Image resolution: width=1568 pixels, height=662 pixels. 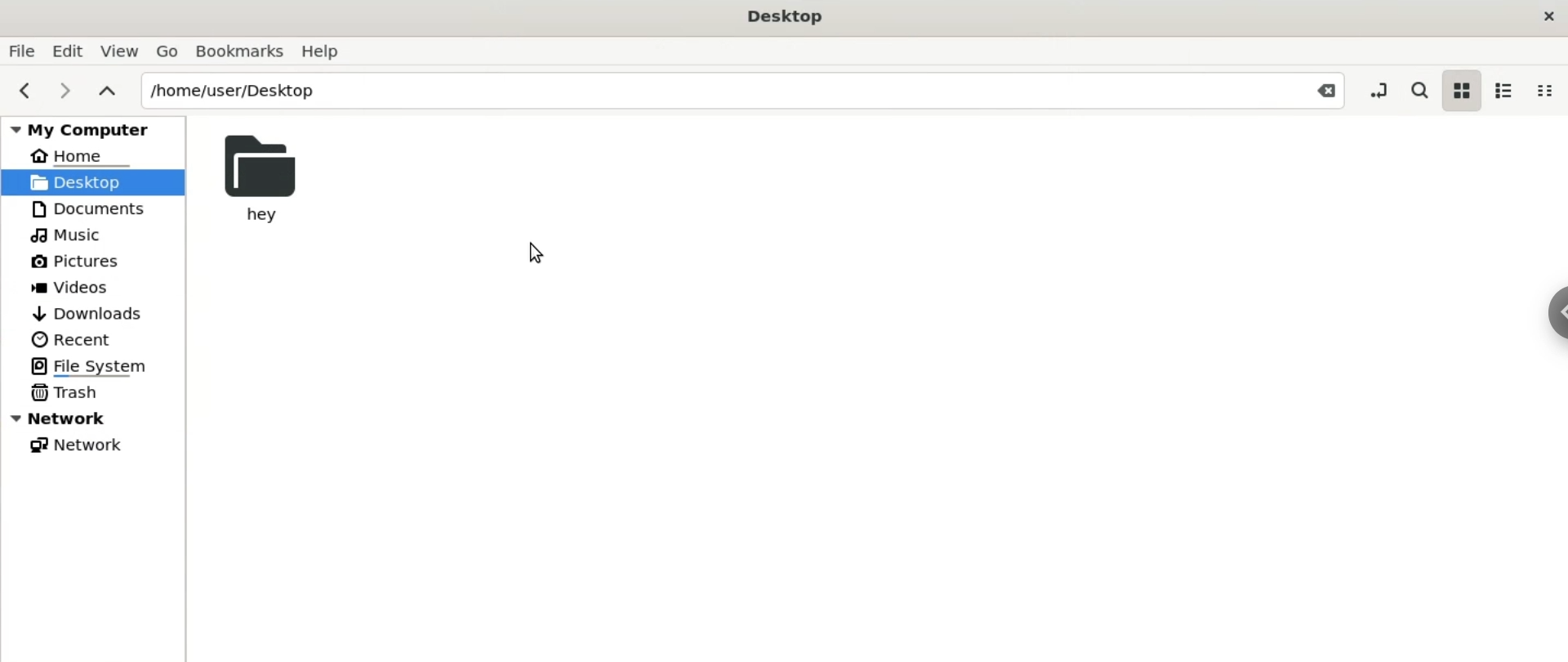 What do you see at coordinates (122, 49) in the screenshot?
I see `view` at bounding box center [122, 49].